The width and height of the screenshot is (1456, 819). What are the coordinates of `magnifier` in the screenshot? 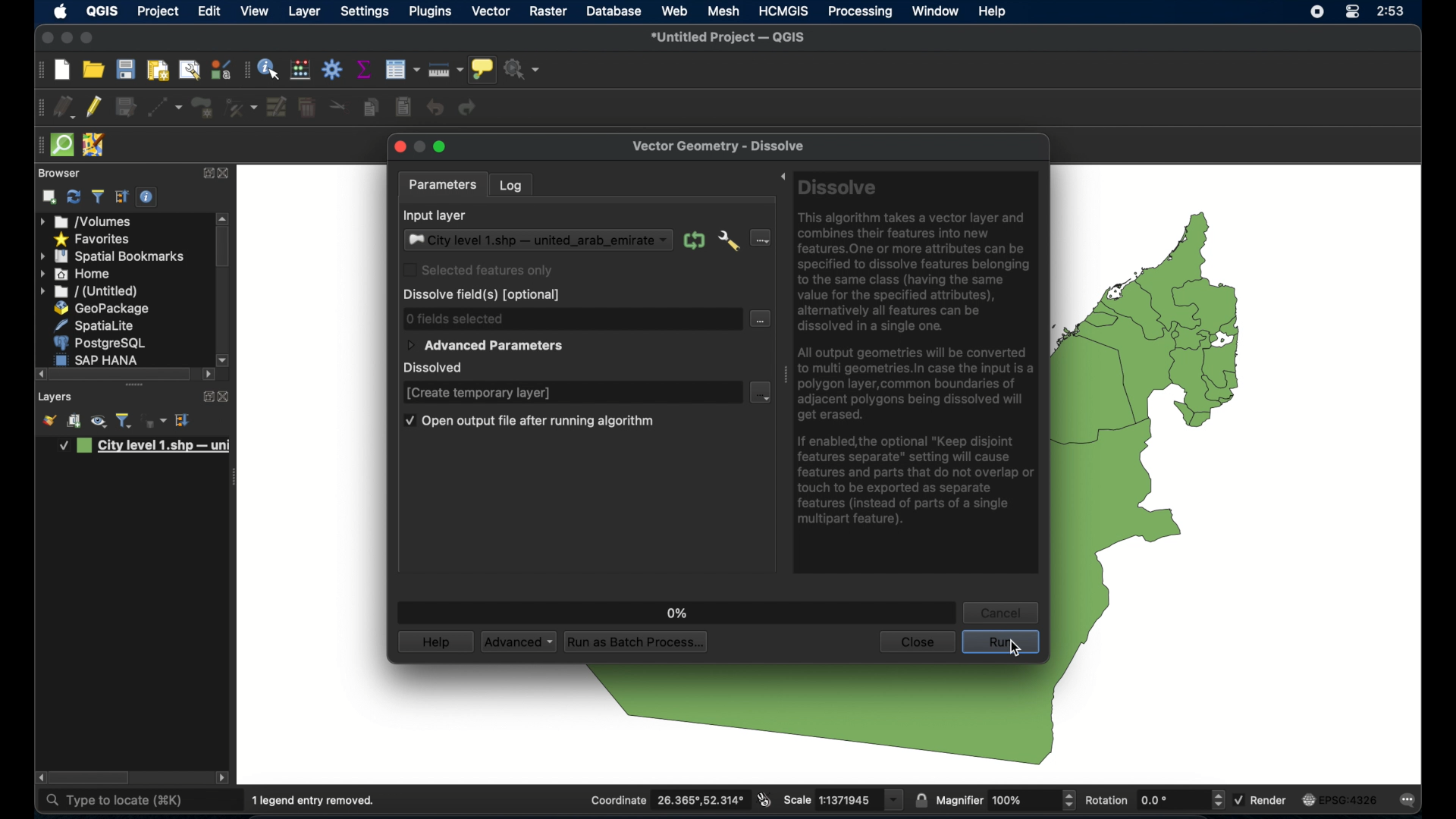 It's located at (1006, 799).